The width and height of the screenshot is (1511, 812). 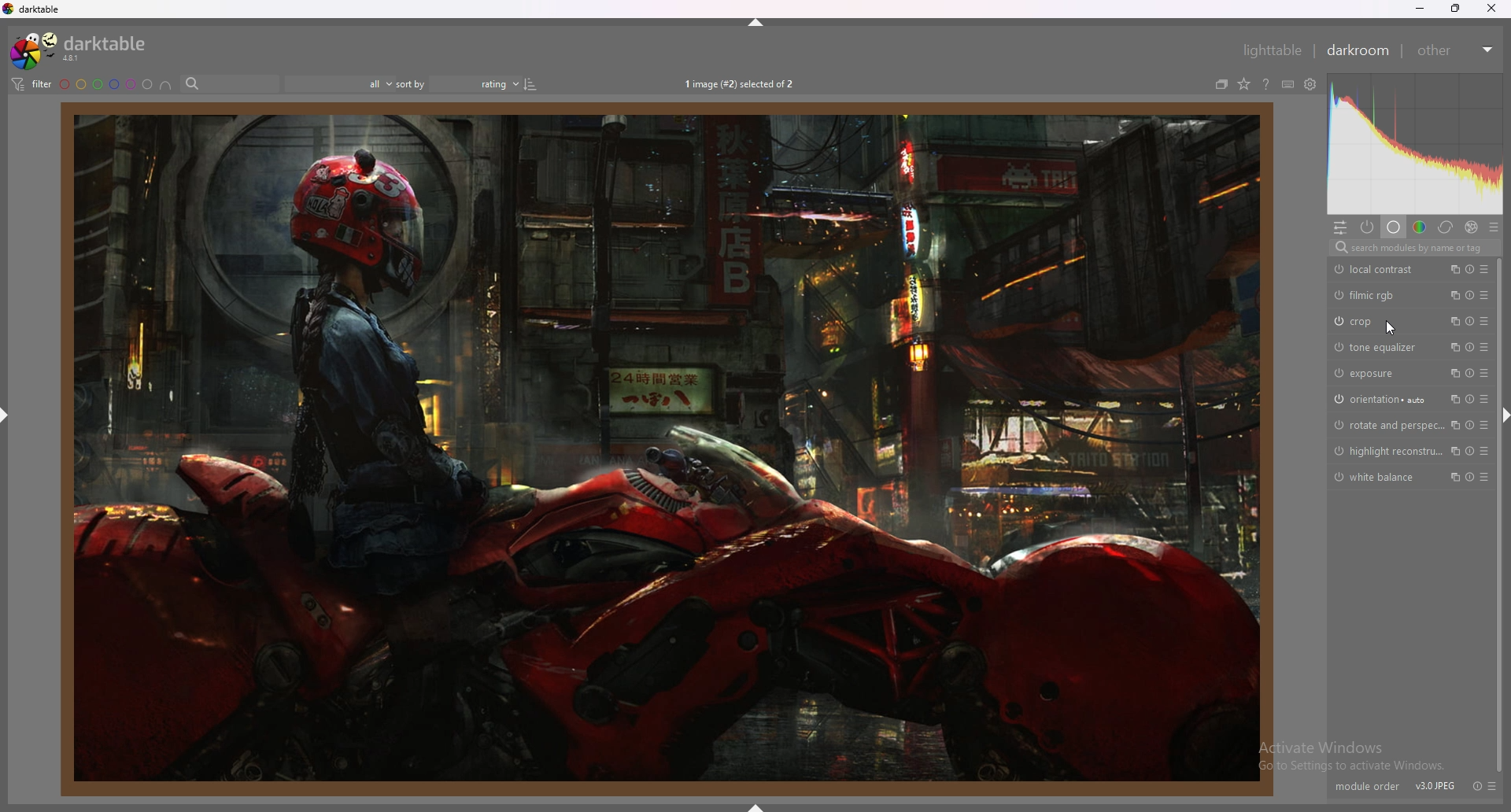 I want to click on presets, so click(x=1484, y=347).